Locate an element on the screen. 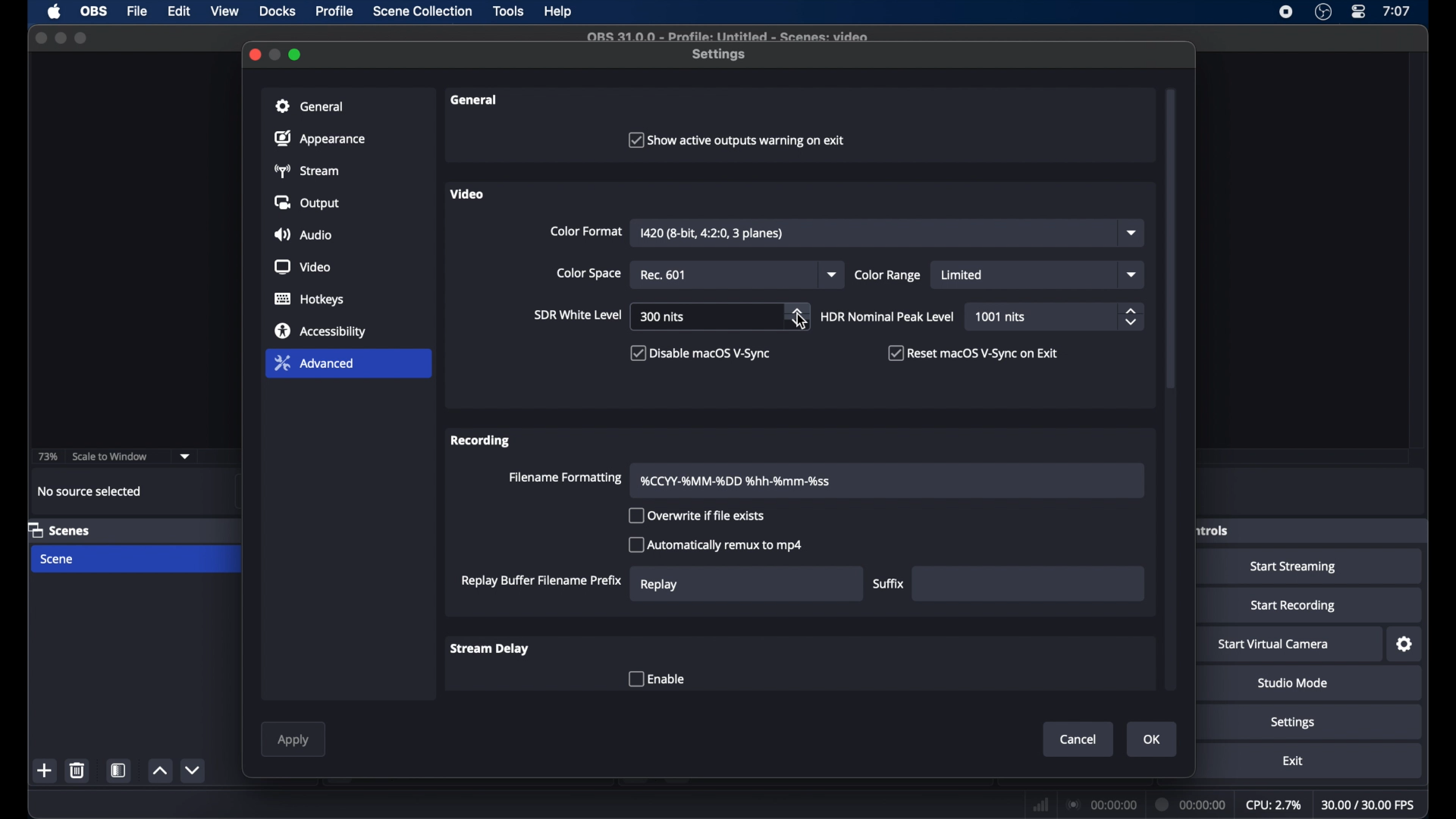 The height and width of the screenshot is (819, 1456). filename formattino  is located at coordinates (567, 478).